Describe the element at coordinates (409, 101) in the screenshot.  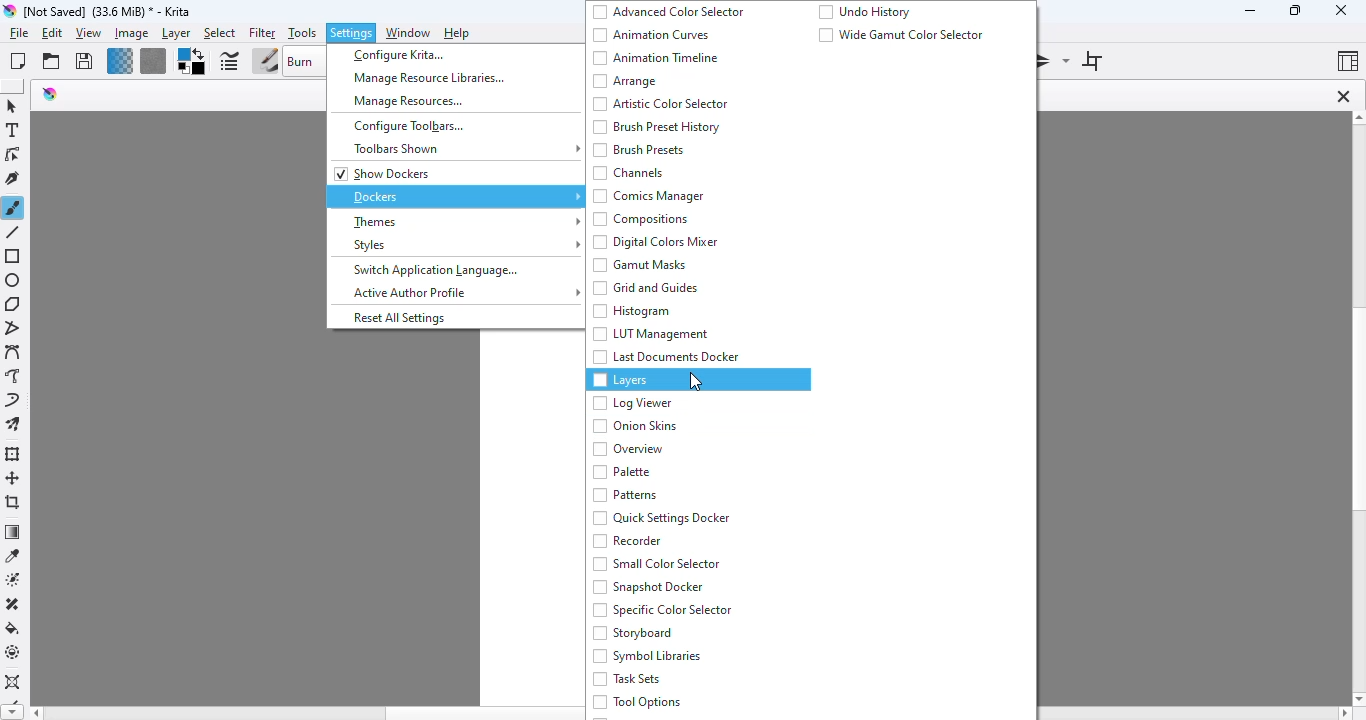
I see `manage resources` at that location.